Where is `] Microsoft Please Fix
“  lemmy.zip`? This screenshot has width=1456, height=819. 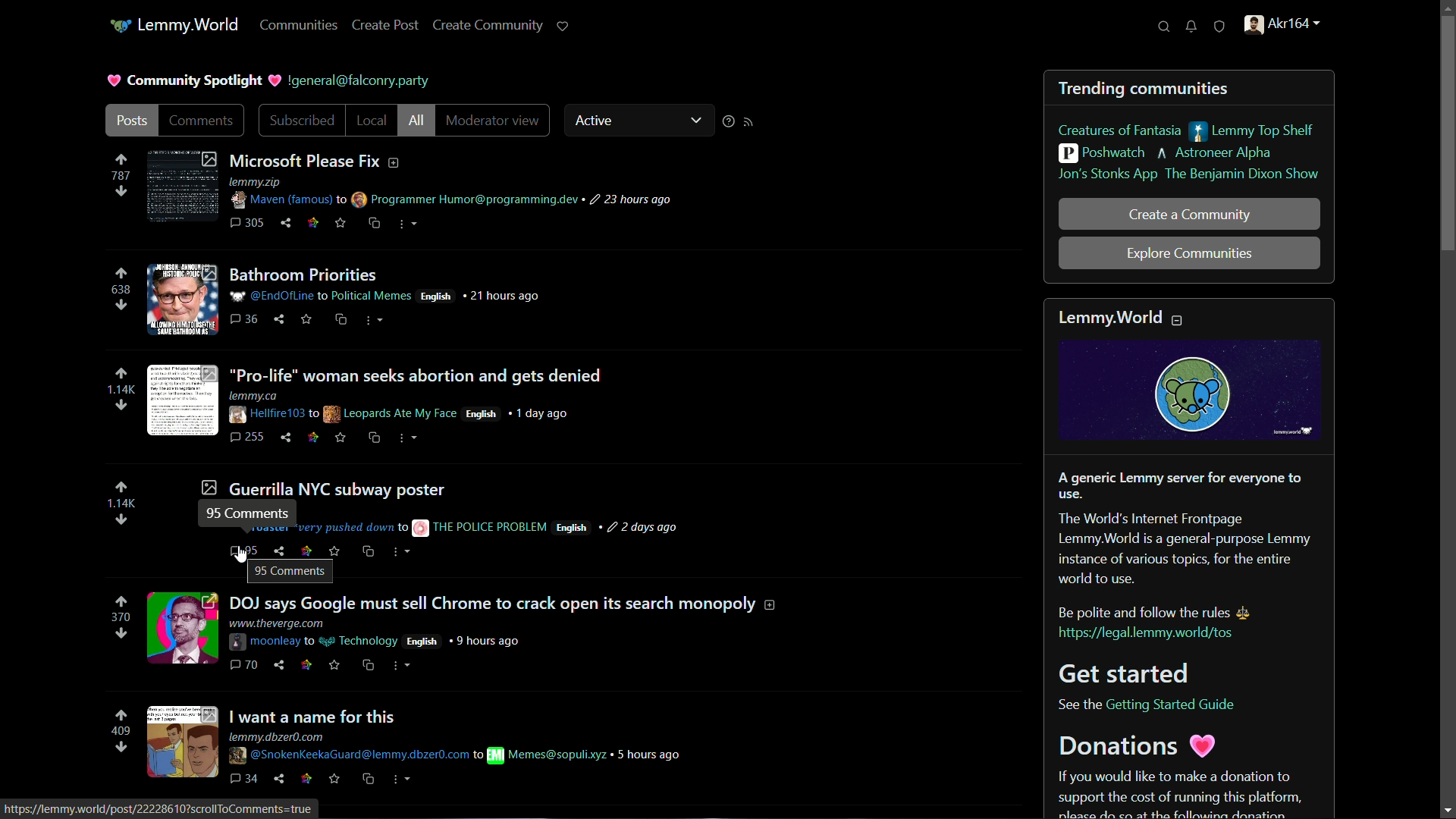
] Microsoft Please Fix
“  lemmy.zip is located at coordinates (331, 167).